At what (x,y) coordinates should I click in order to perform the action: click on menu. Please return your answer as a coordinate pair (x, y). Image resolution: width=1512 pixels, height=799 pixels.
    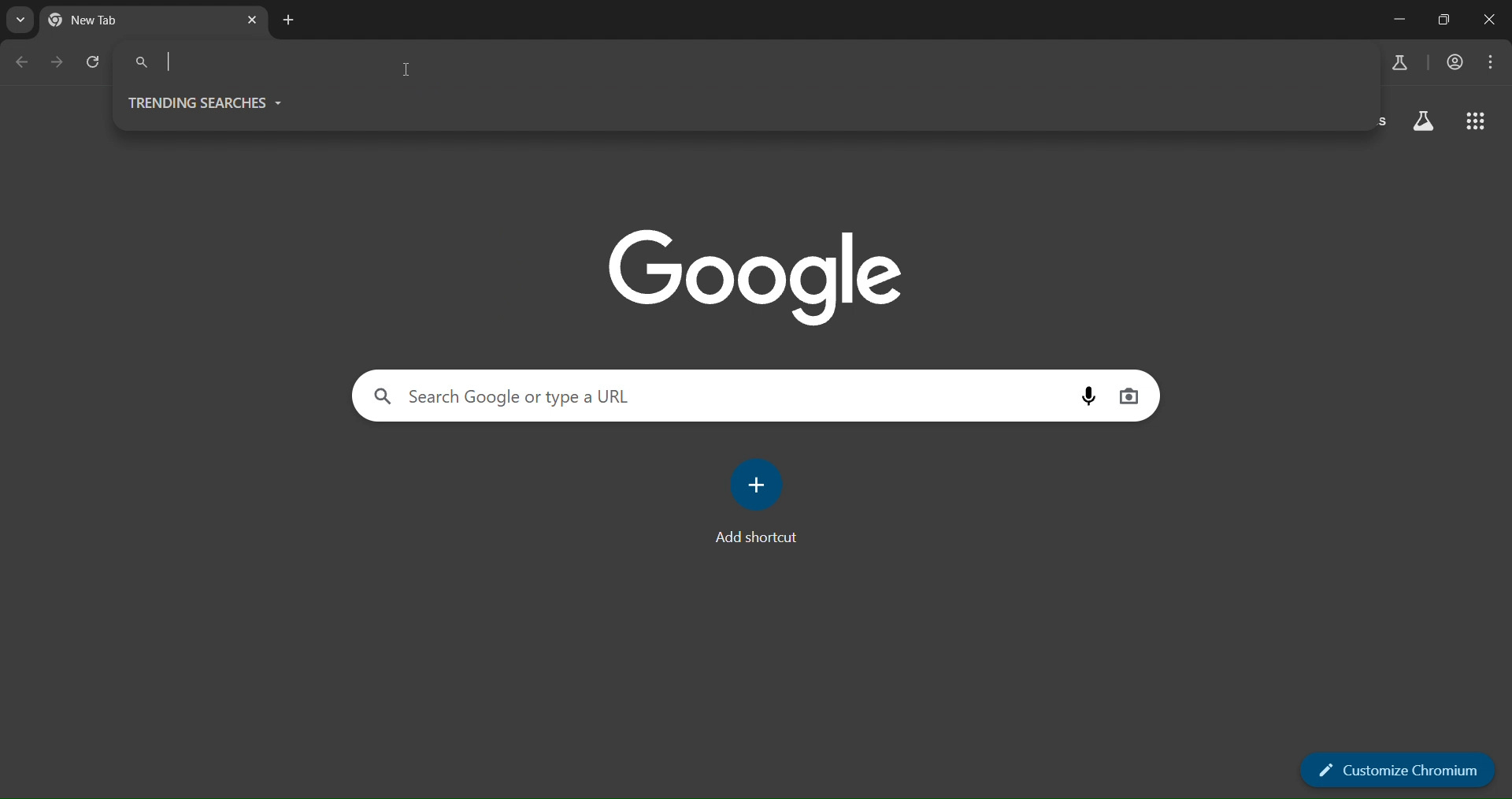
    Looking at the image, I should click on (1494, 63).